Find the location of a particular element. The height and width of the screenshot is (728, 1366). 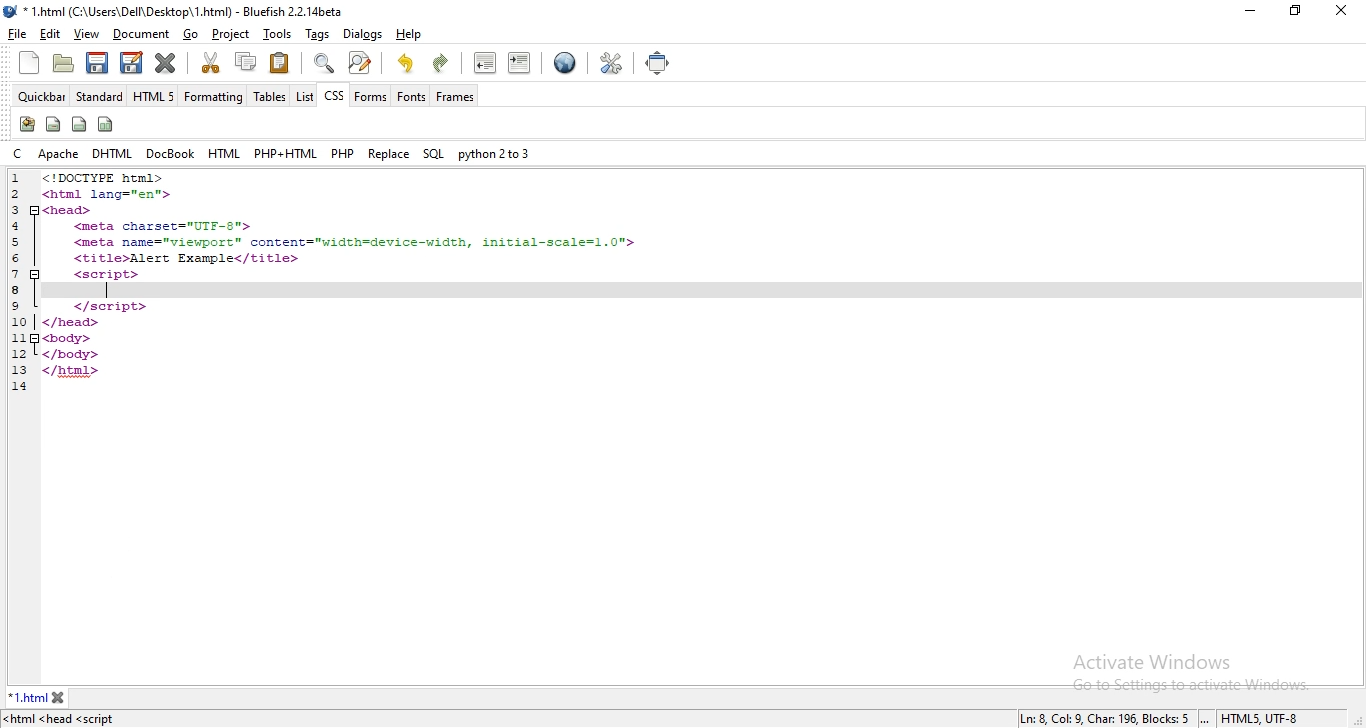

quickbar is located at coordinates (40, 95).